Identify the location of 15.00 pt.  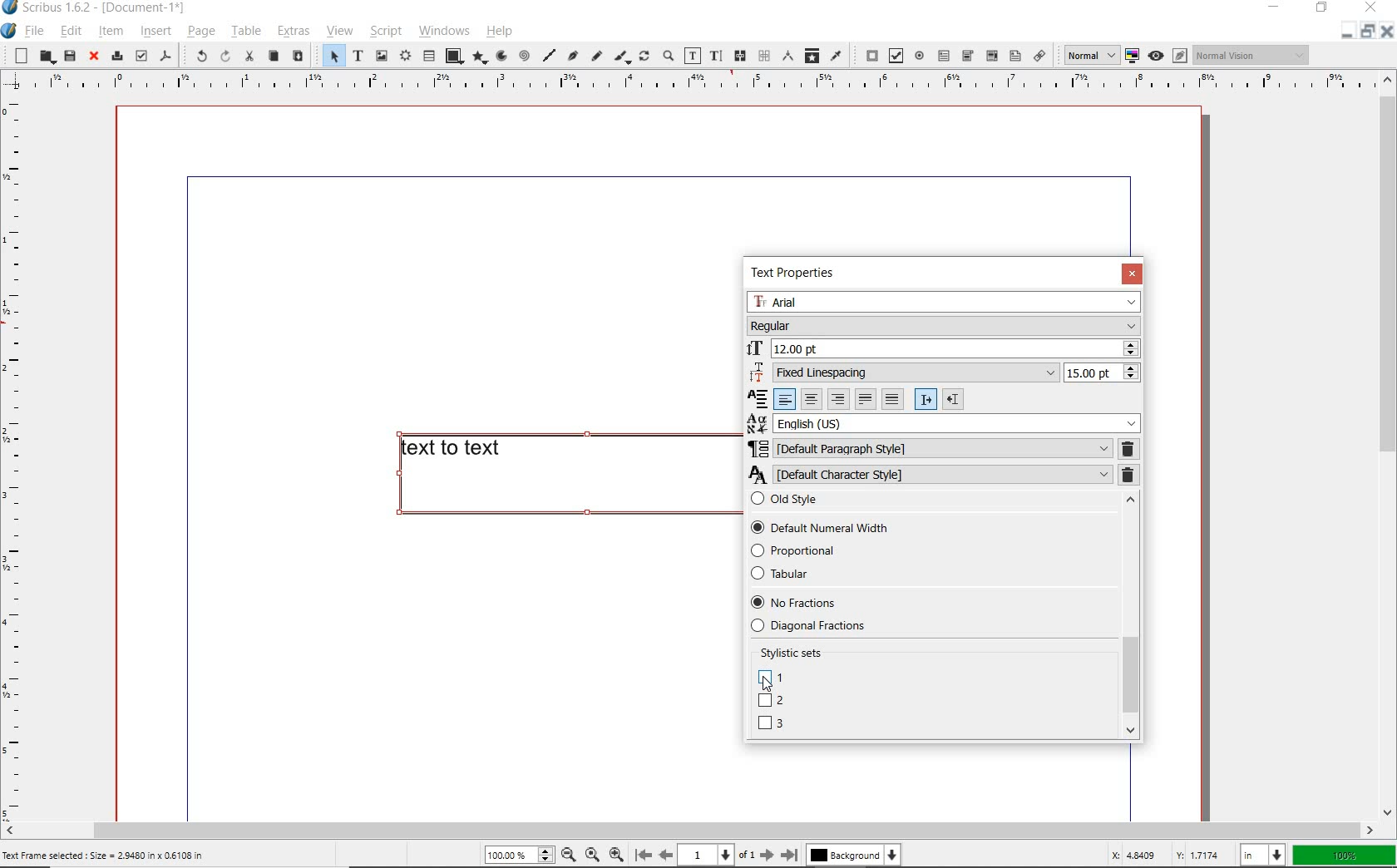
(1100, 373).